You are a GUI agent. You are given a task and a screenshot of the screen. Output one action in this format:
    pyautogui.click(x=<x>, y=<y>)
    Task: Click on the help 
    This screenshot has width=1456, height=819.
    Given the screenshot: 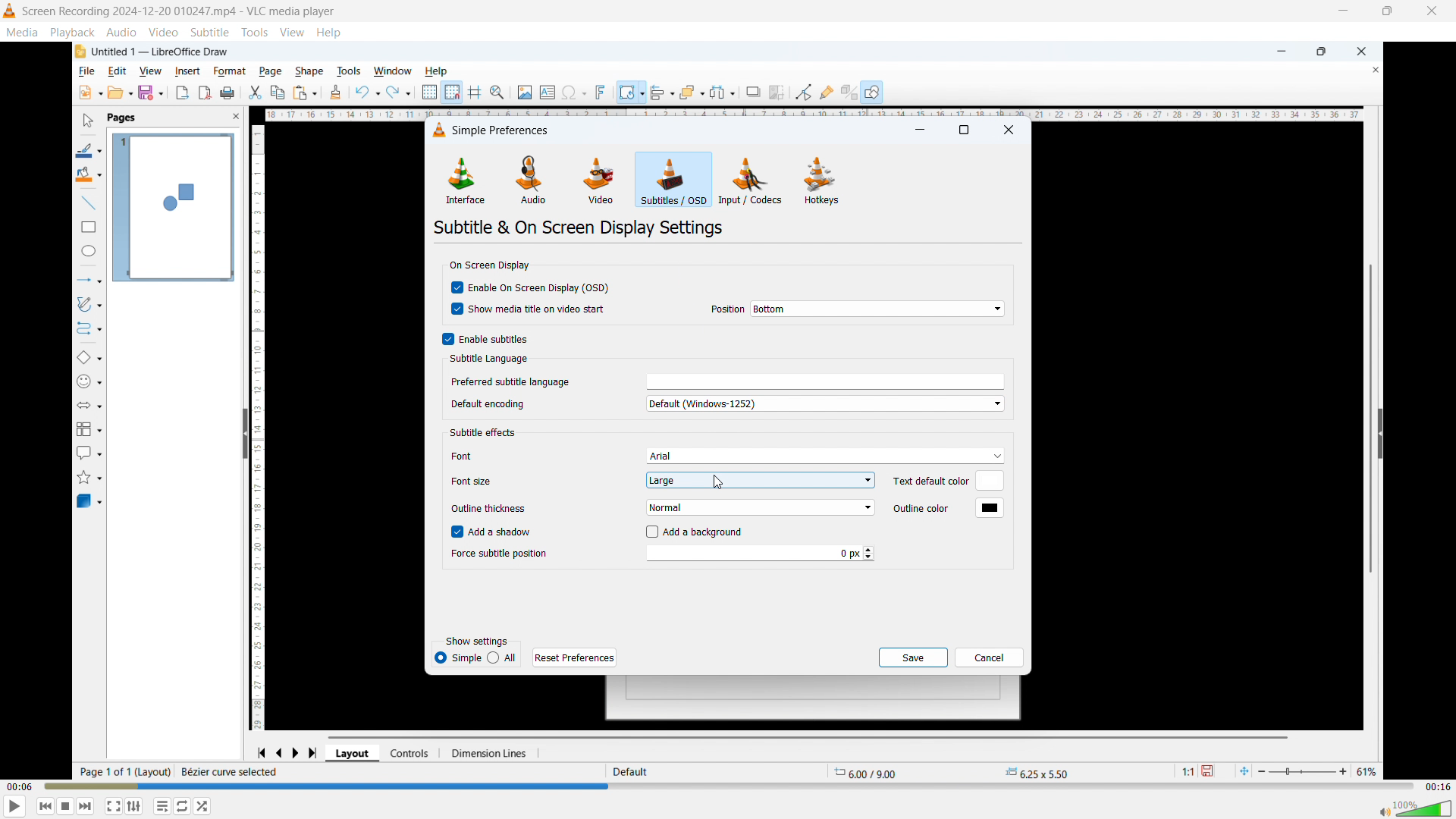 What is the action you would take?
    pyautogui.click(x=330, y=33)
    